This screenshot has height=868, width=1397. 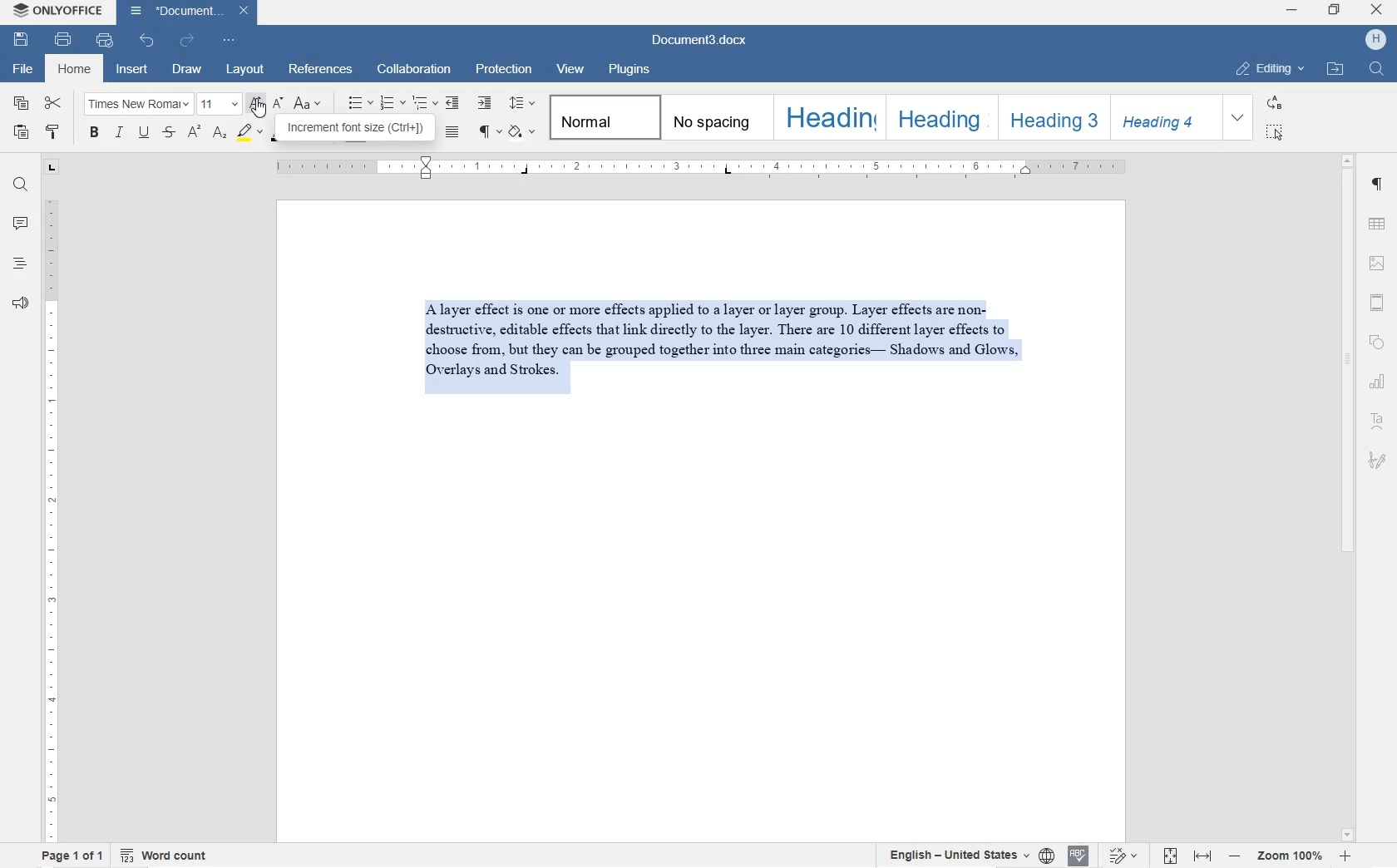 I want to click on HP, so click(x=1375, y=42).